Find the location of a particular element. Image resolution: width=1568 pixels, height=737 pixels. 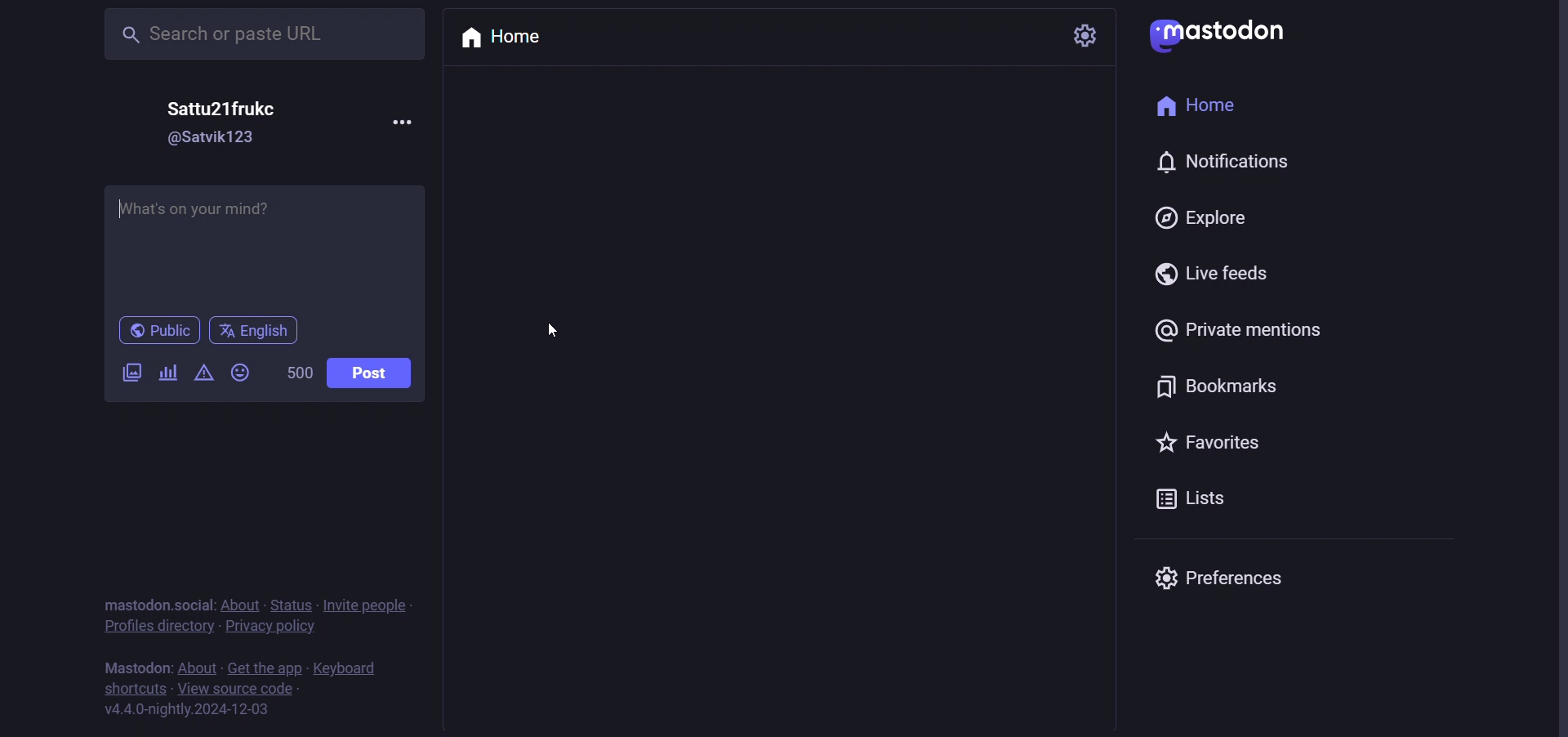

public is located at coordinates (160, 329).